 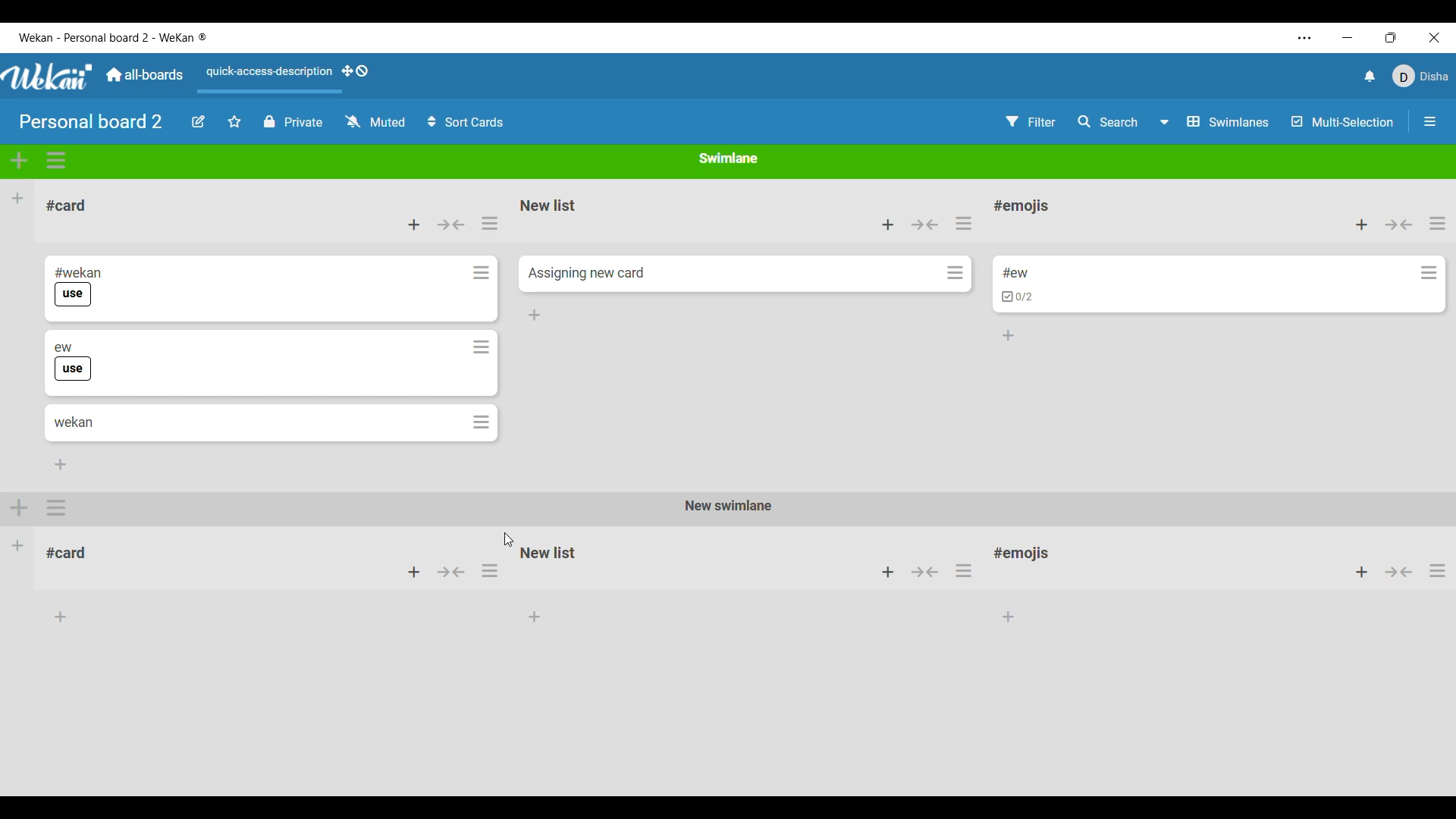 I want to click on Add card to top of list, so click(x=414, y=224).